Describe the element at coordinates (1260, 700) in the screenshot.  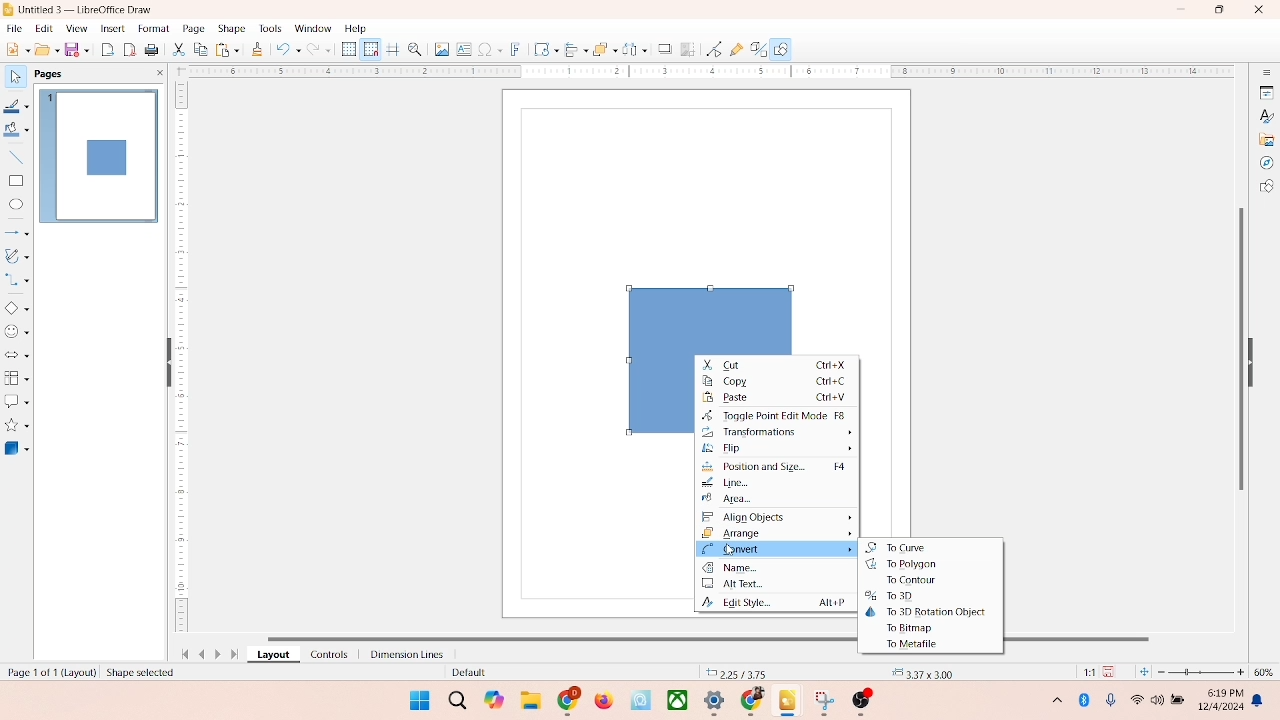
I see `notifications` at that location.